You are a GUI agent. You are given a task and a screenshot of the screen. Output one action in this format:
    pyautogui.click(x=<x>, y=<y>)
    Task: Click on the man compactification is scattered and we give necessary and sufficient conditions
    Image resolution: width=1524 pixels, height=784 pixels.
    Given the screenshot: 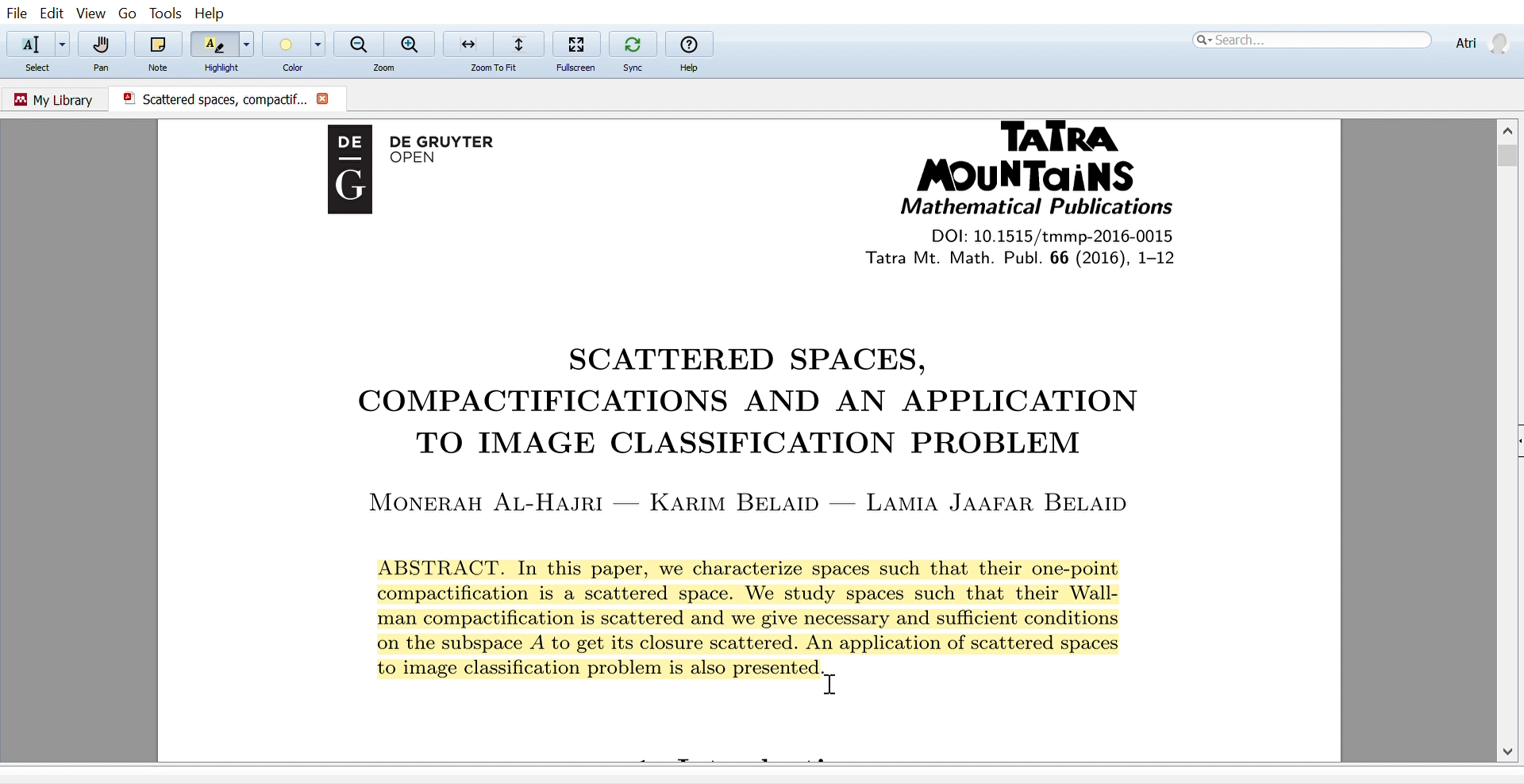 What is the action you would take?
    pyautogui.click(x=768, y=621)
    